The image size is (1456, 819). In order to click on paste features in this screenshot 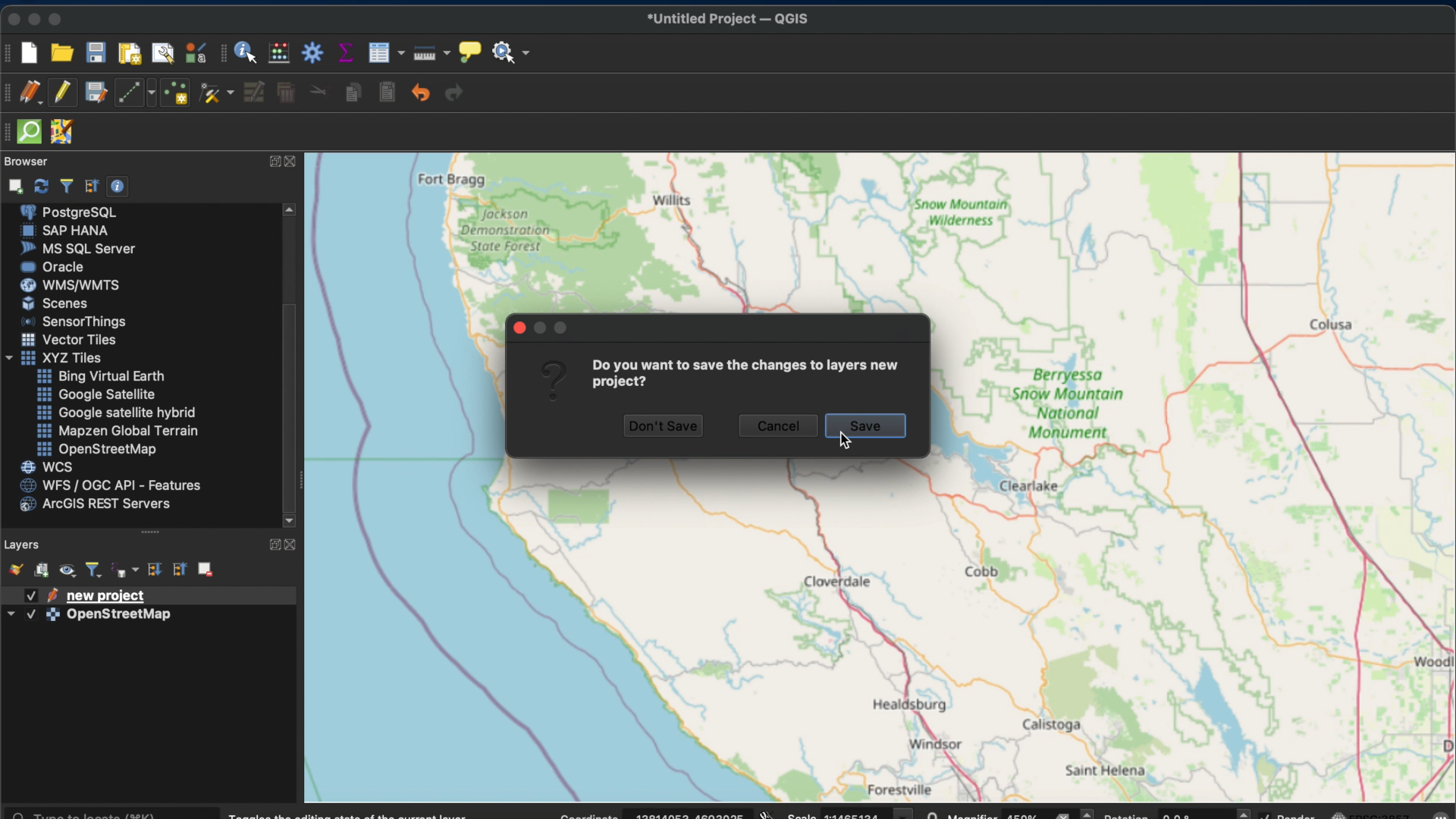, I will do `click(389, 93)`.